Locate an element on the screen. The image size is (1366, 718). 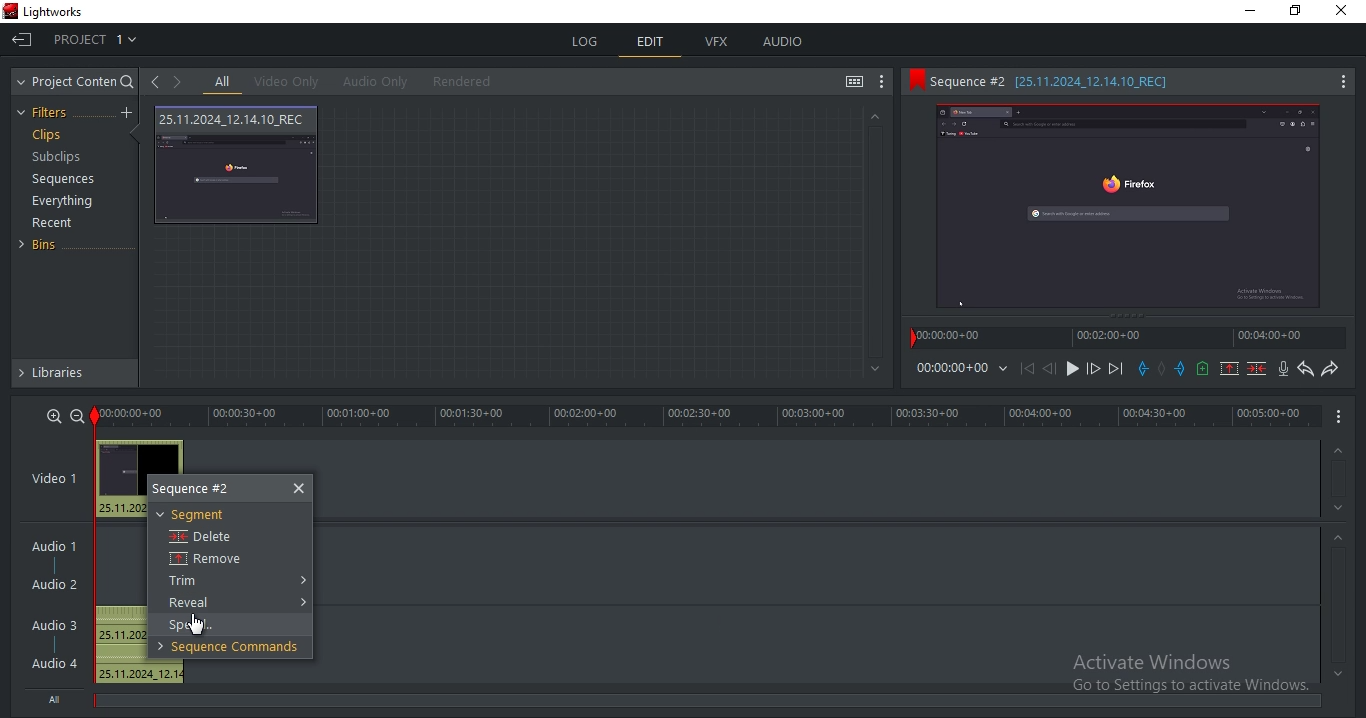
project 1 is located at coordinates (97, 42).